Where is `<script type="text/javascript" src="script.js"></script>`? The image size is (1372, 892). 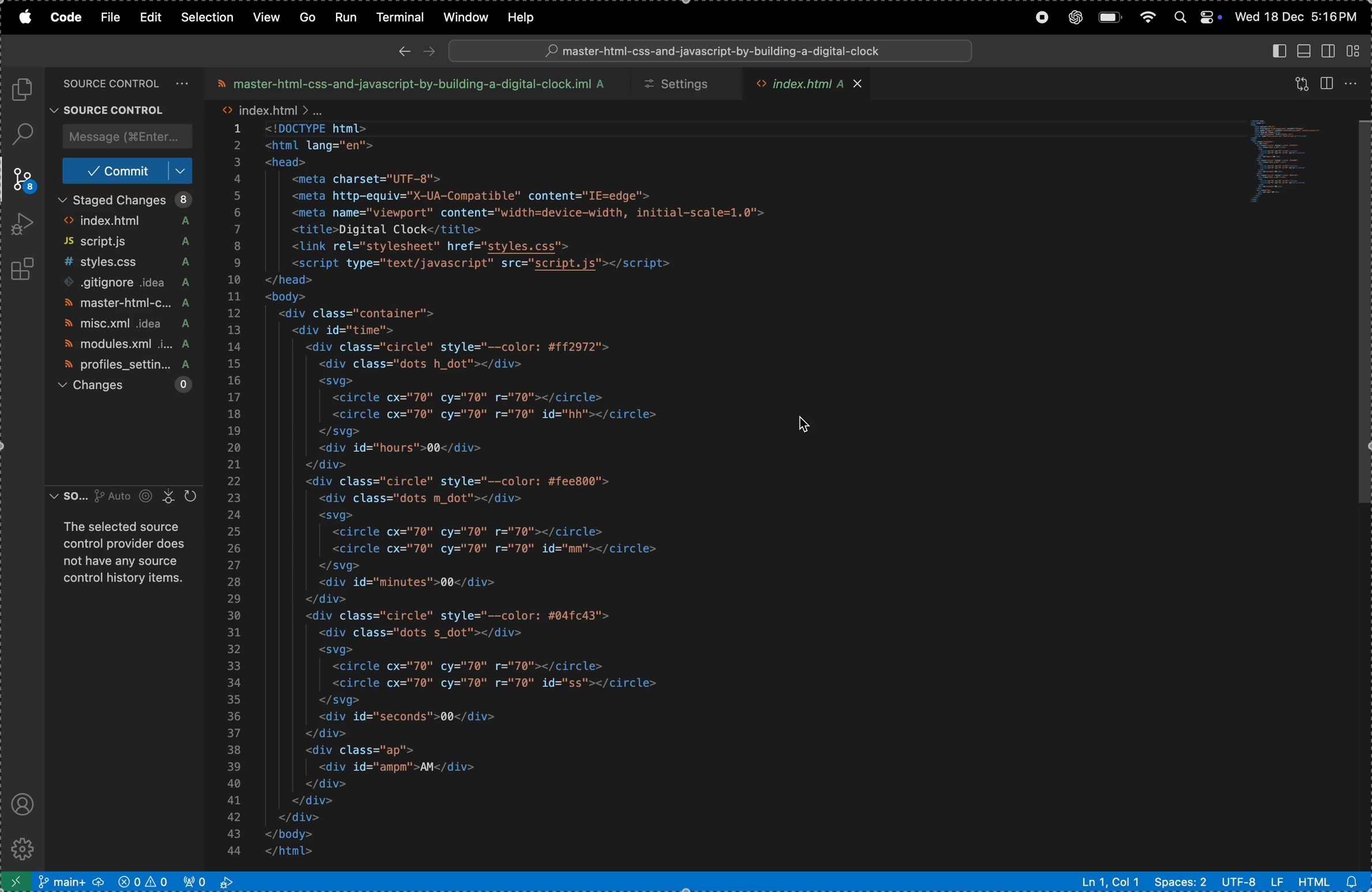 <script type="text/javascript" src="script.js"></script> is located at coordinates (500, 264).